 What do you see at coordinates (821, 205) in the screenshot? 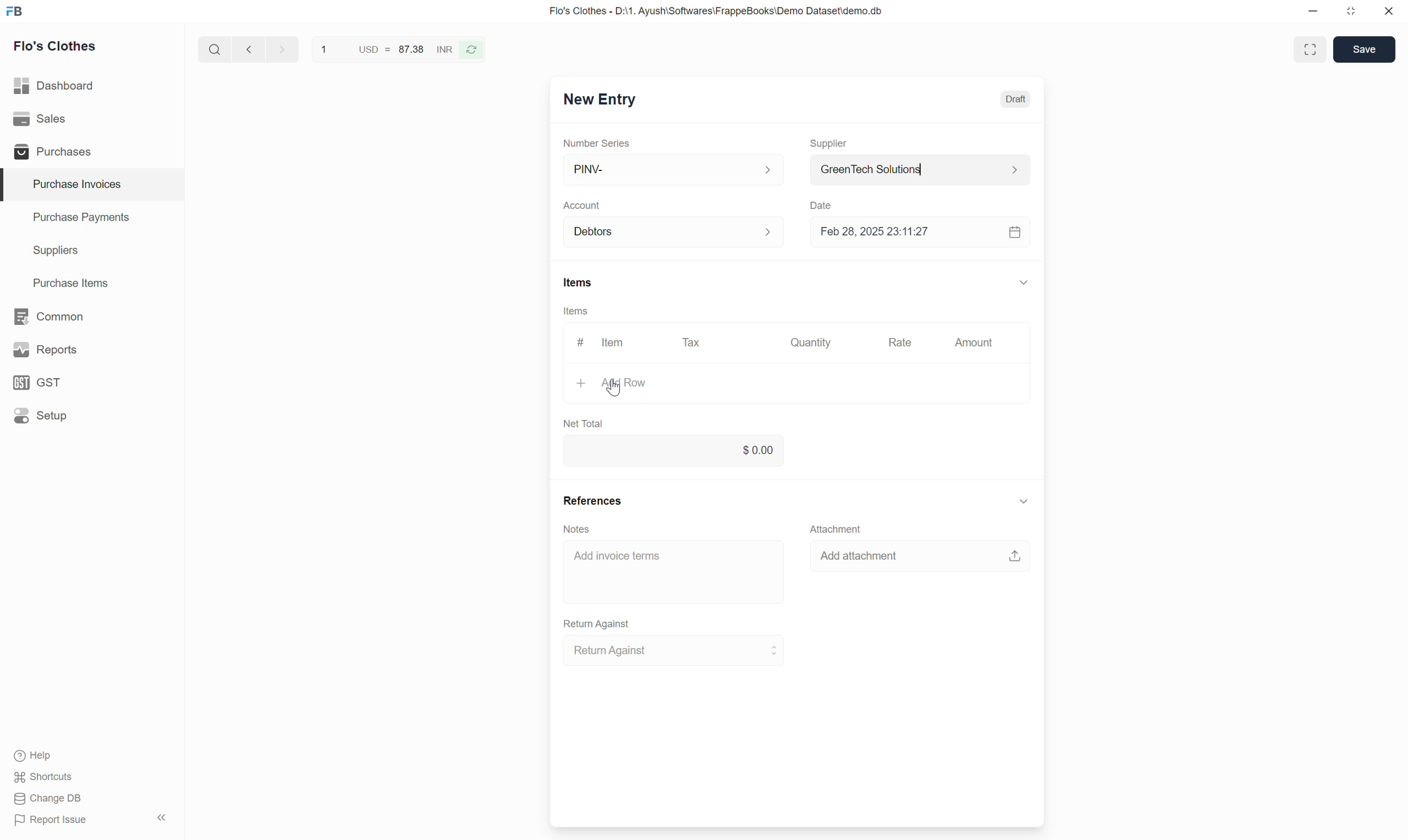
I see `Date` at bounding box center [821, 205].